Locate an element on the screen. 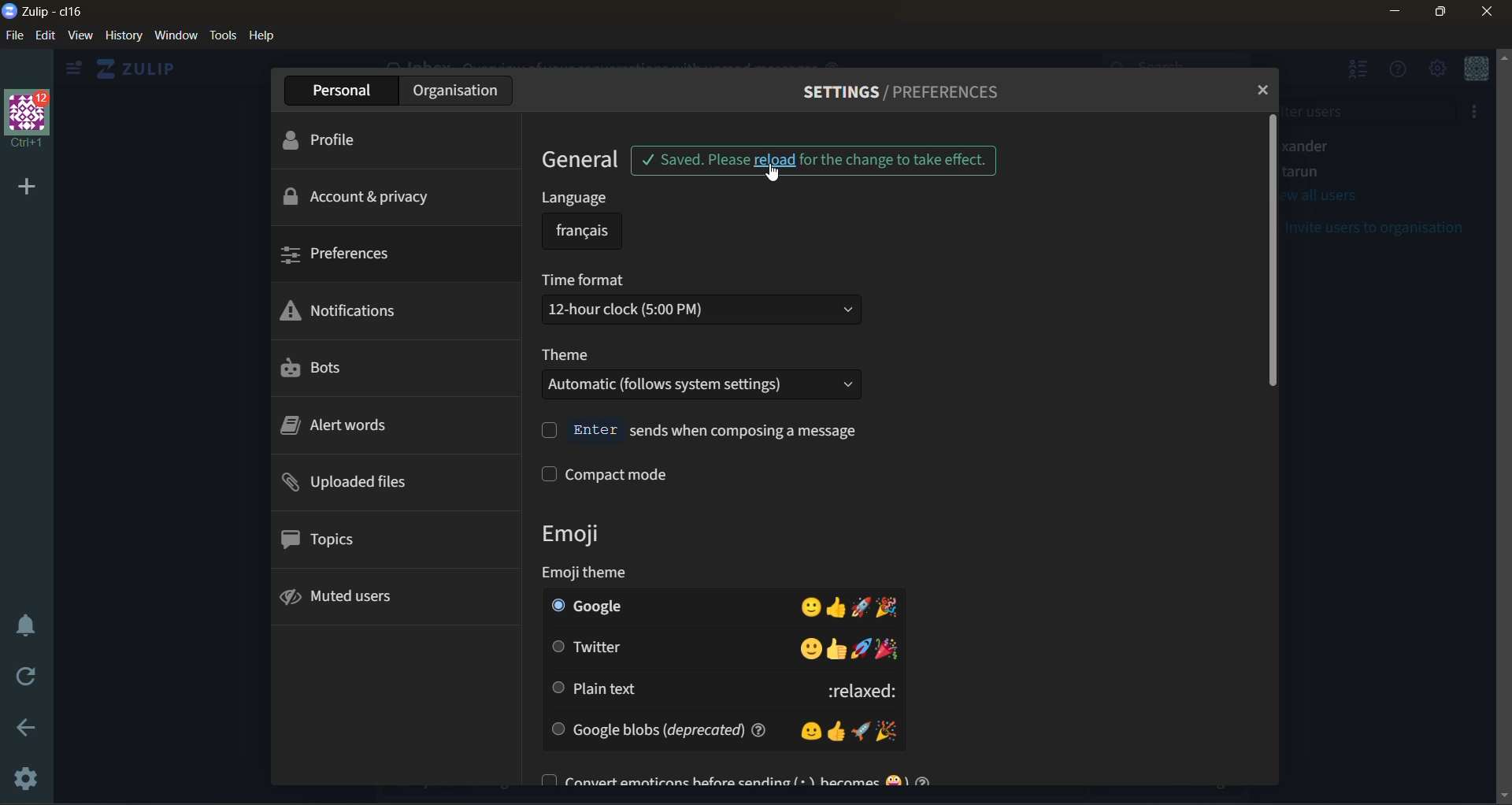 The width and height of the screenshot is (1512, 805). vertical scroll bar is located at coordinates (1281, 252).